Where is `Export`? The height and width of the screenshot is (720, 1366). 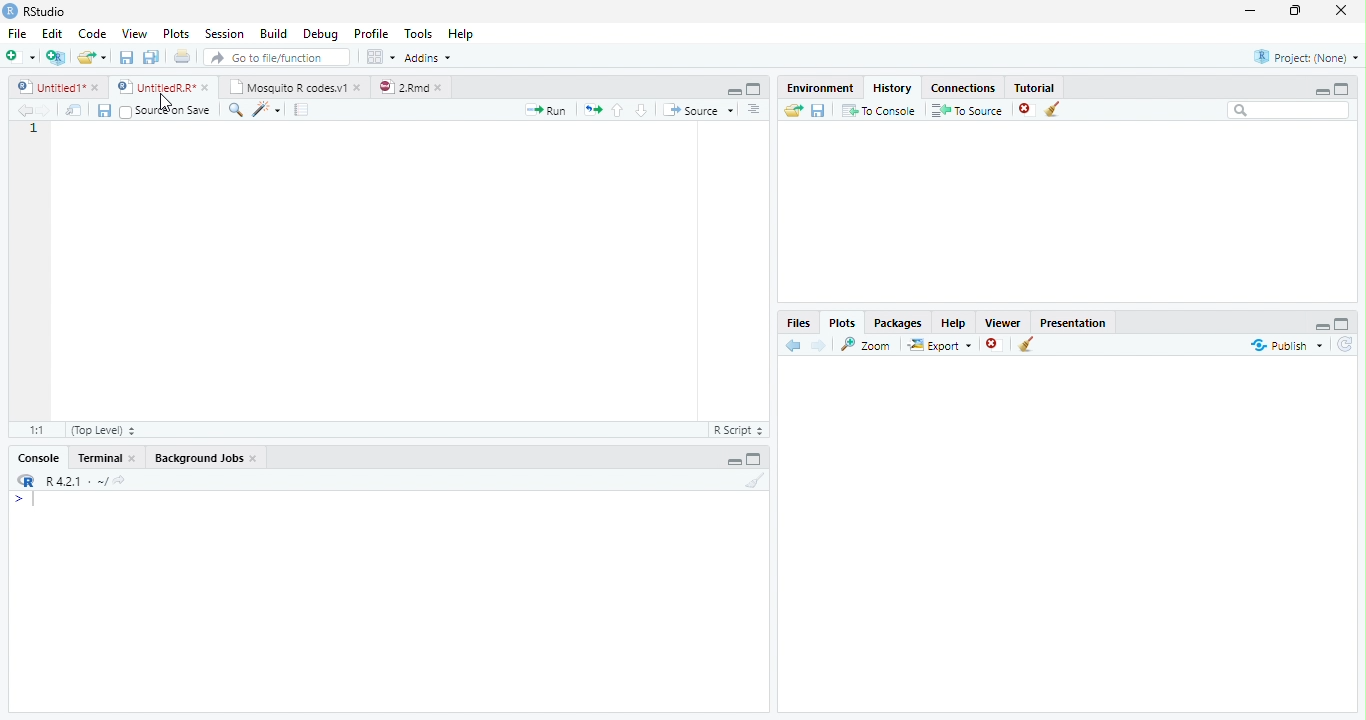 Export is located at coordinates (939, 346).